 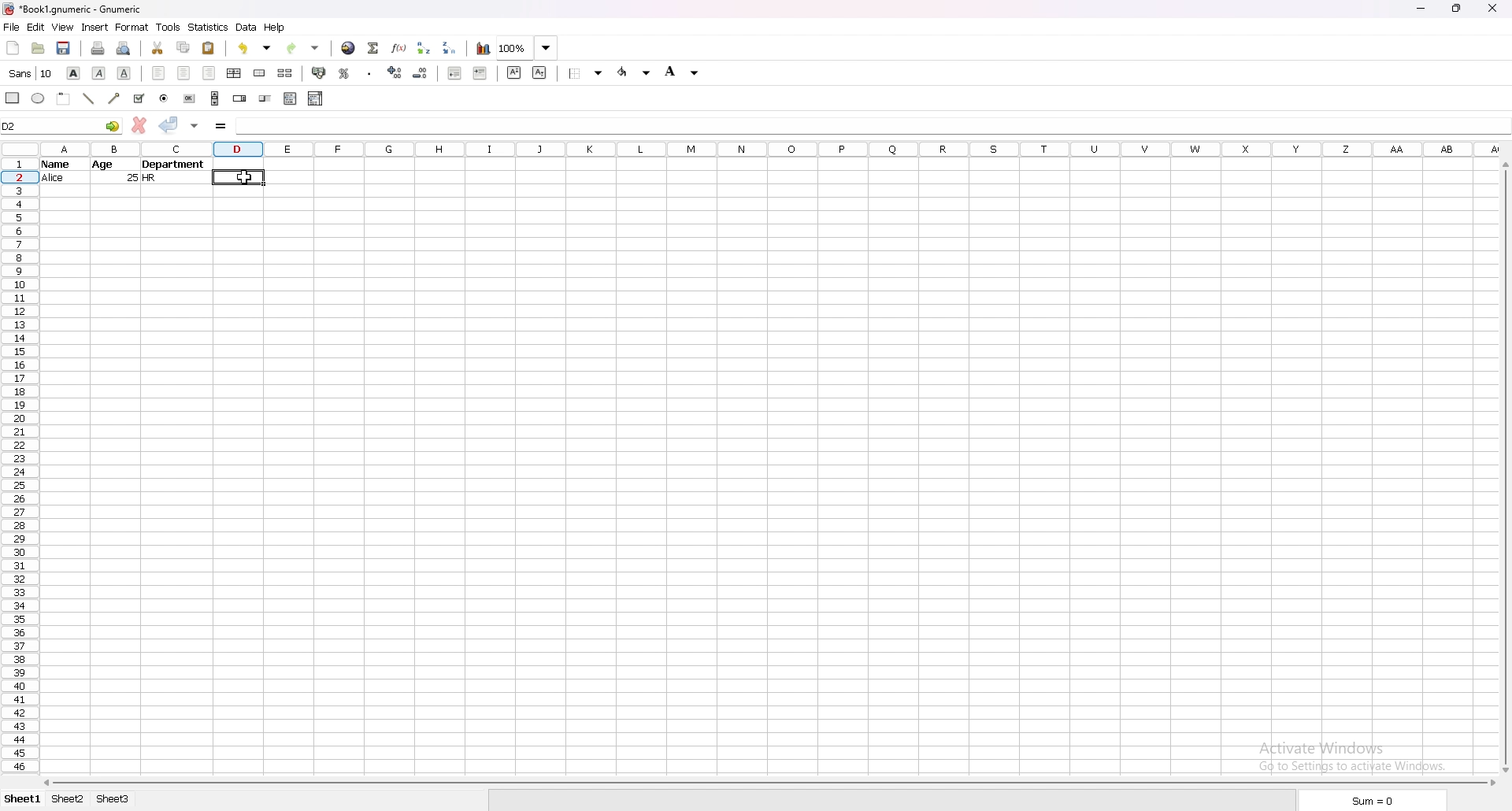 I want to click on merge cells, so click(x=260, y=74).